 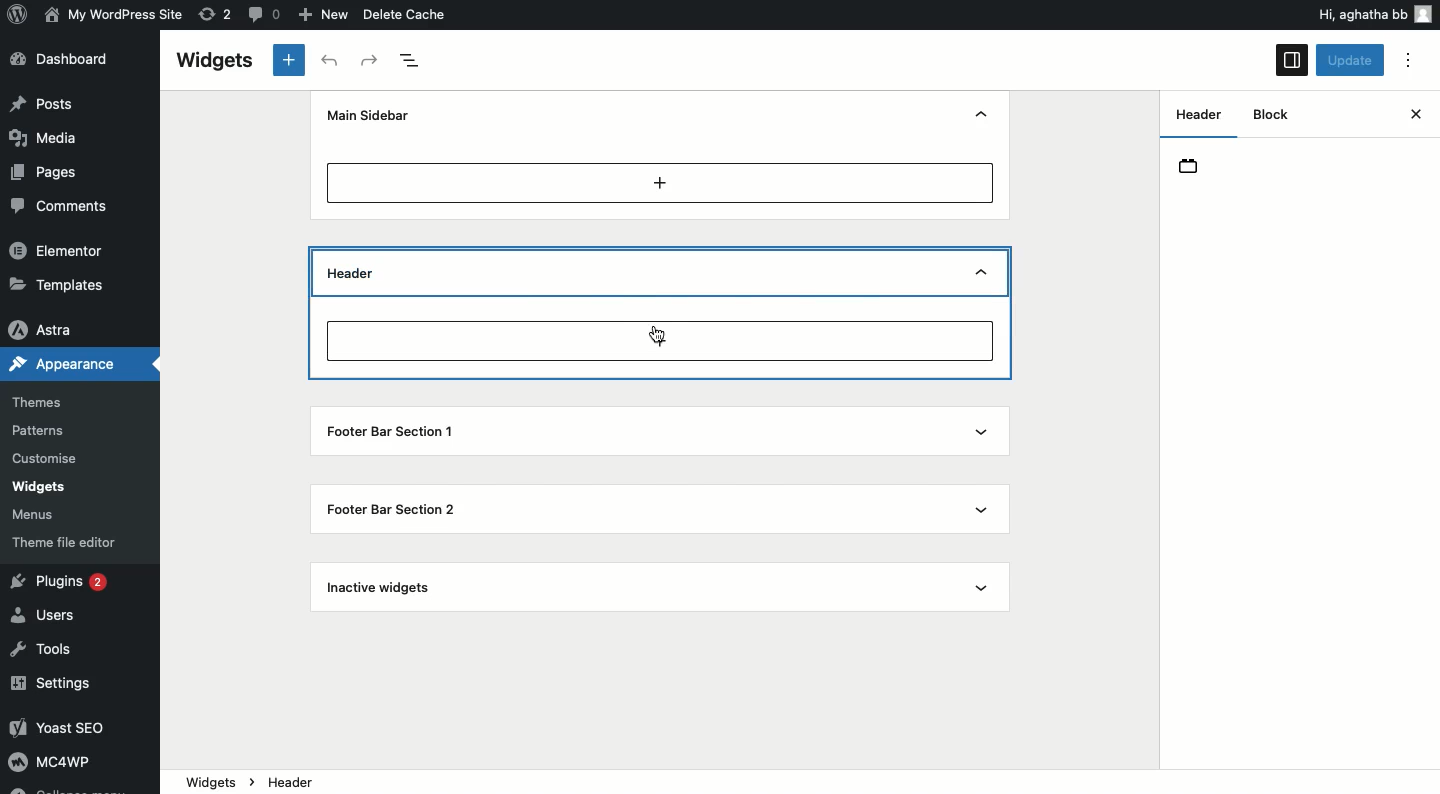 What do you see at coordinates (305, 781) in the screenshot?
I see `Header` at bounding box center [305, 781].